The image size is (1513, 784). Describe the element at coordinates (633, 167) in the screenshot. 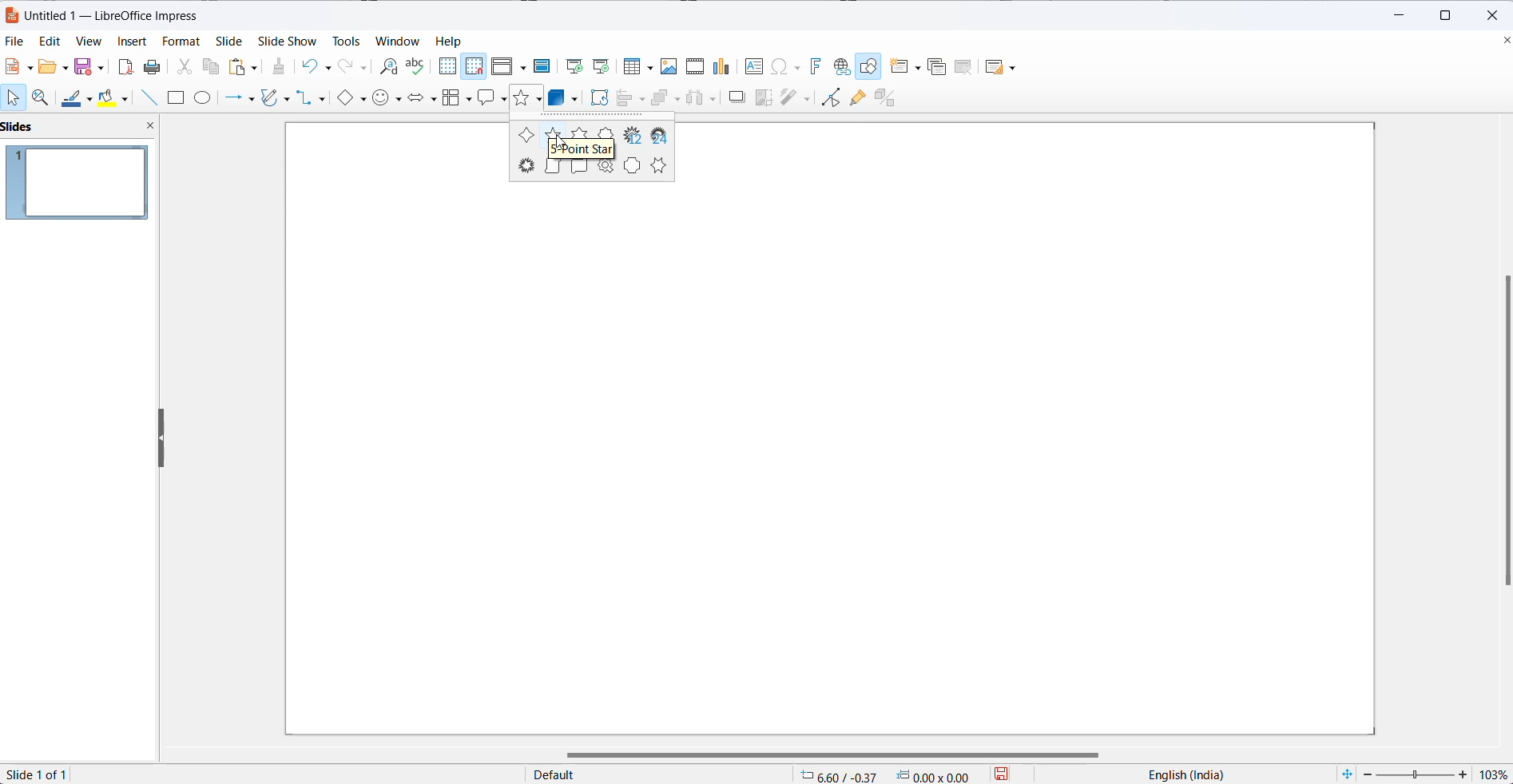

I see `doorplate` at that location.